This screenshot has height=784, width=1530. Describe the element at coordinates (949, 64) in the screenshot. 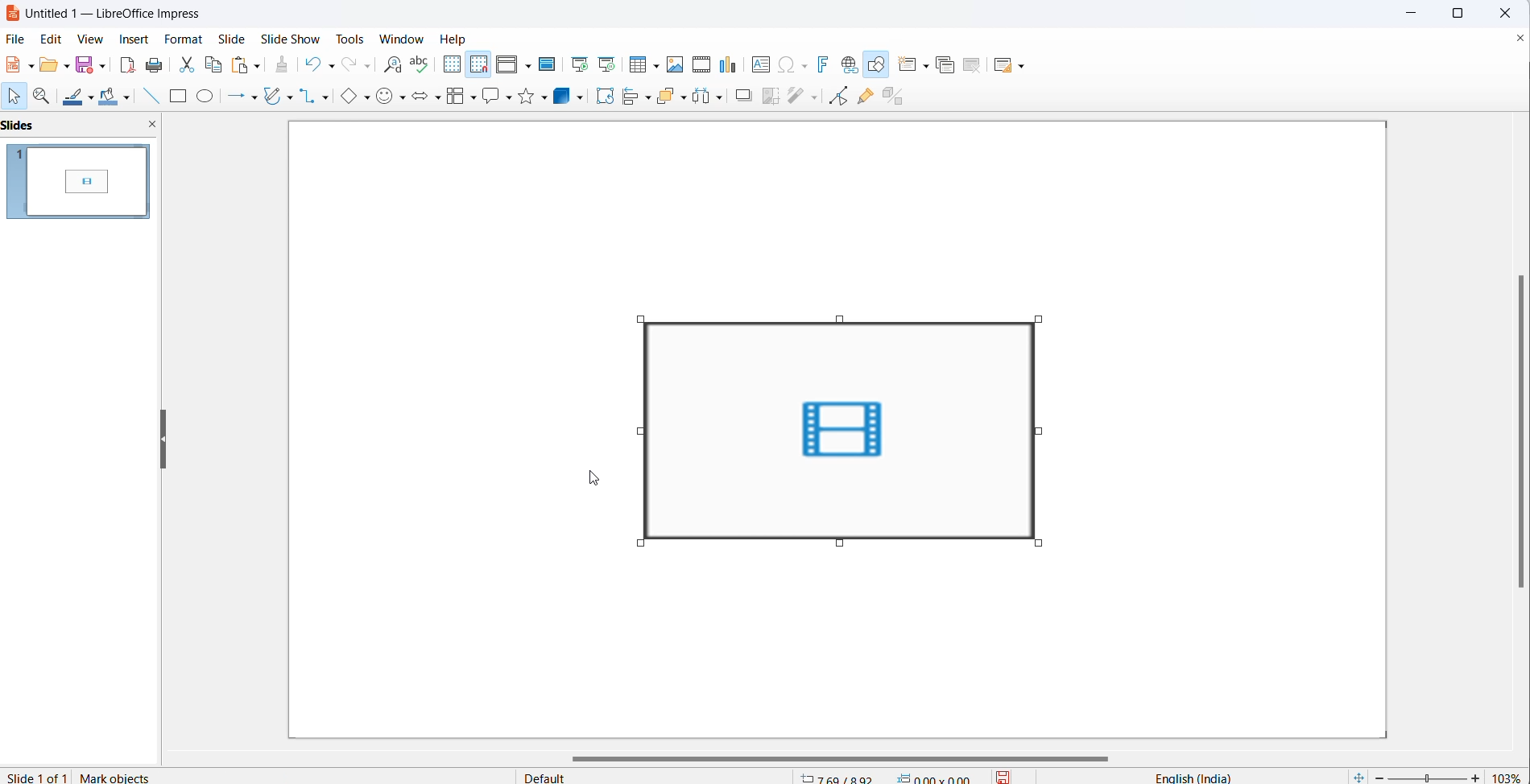

I see `duplicate slide` at that location.